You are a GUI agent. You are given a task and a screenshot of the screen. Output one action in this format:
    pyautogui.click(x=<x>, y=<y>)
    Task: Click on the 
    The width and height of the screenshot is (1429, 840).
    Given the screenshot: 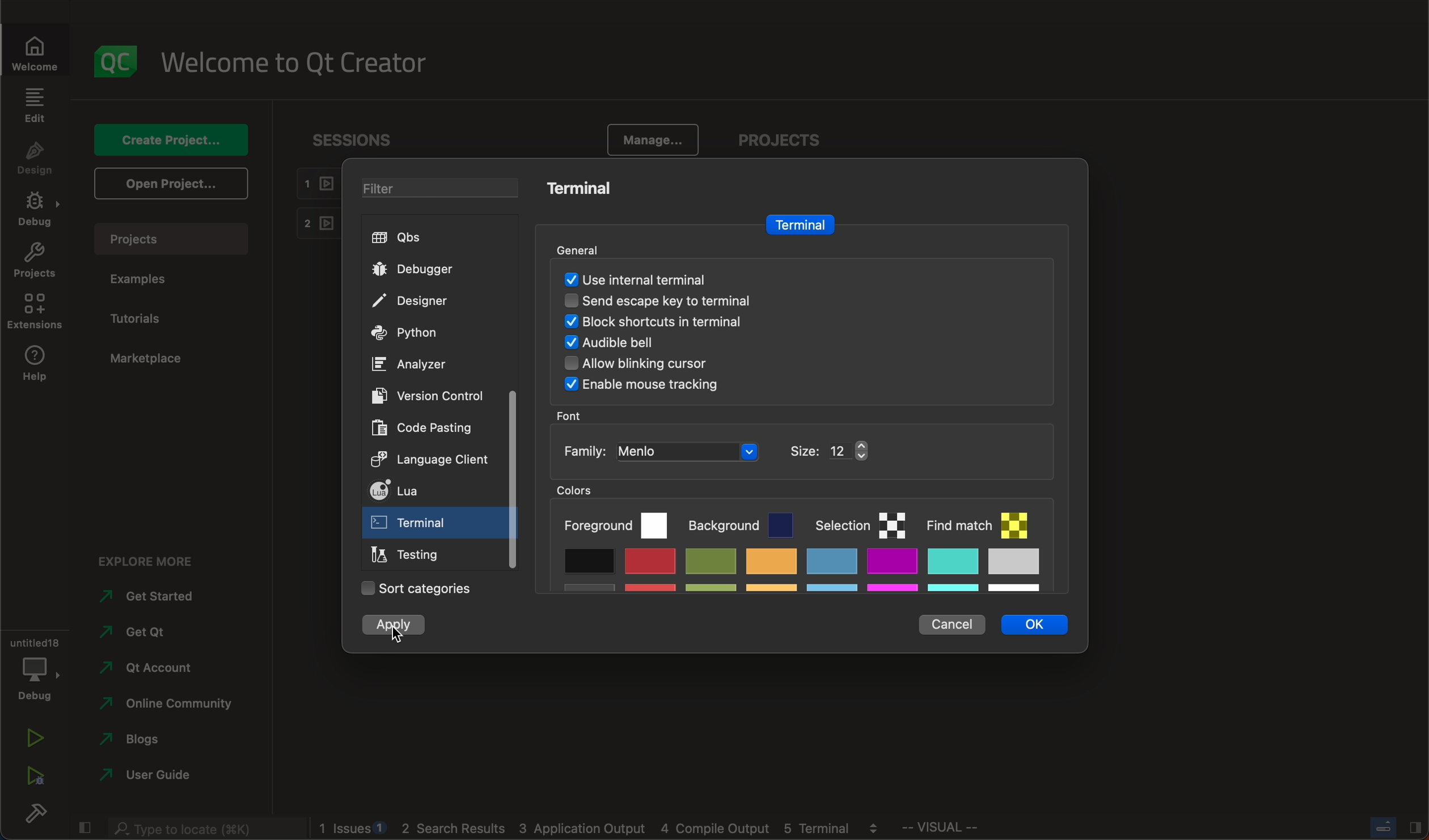 What is the action you would take?
    pyautogui.click(x=645, y=386)
    